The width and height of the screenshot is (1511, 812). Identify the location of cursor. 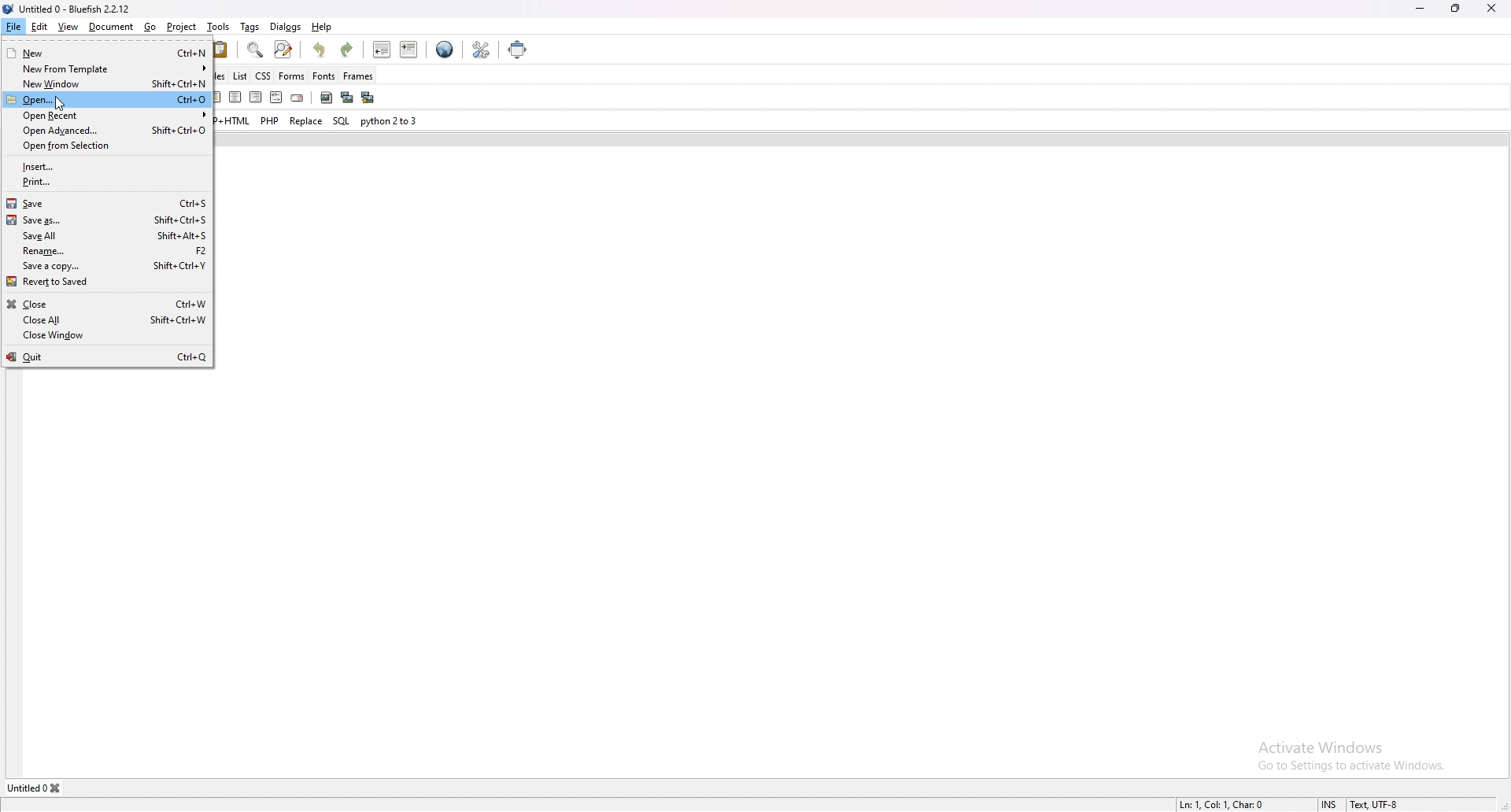
(63, 103).